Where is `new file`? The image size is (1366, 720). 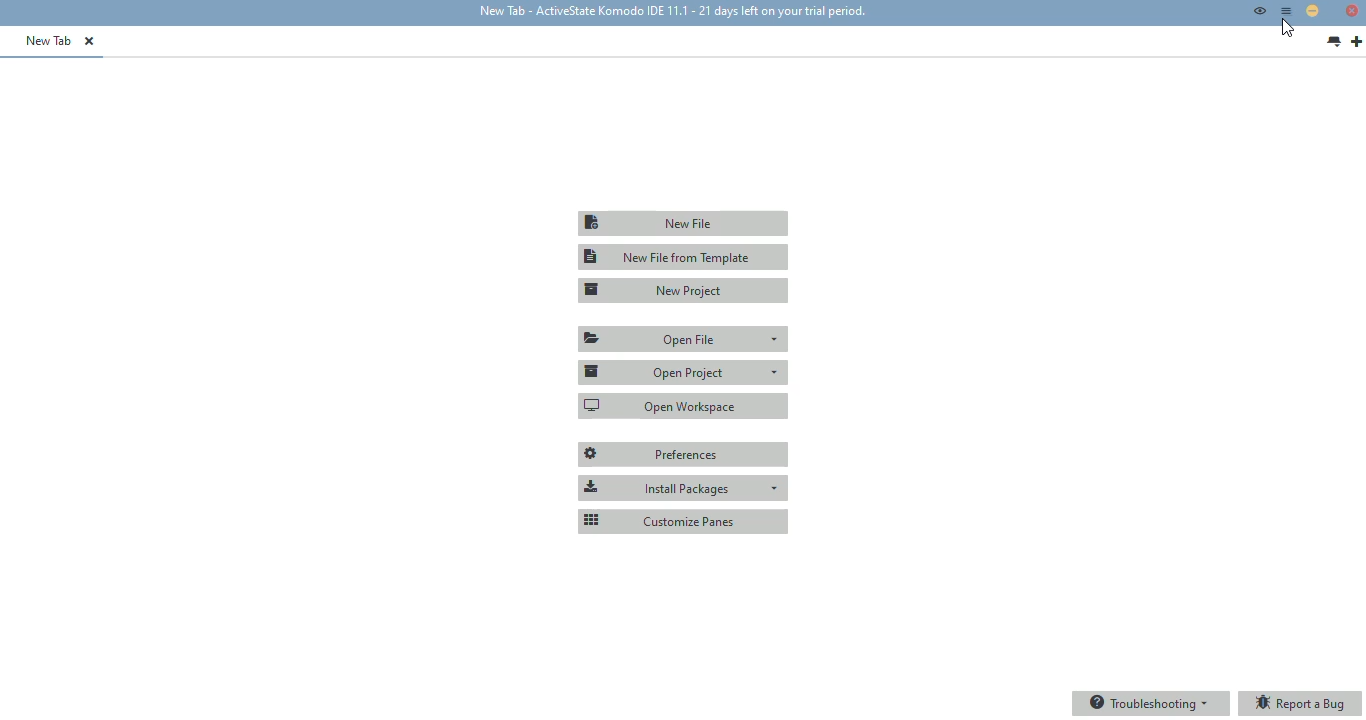
new file is located at coordinates (682, 223).